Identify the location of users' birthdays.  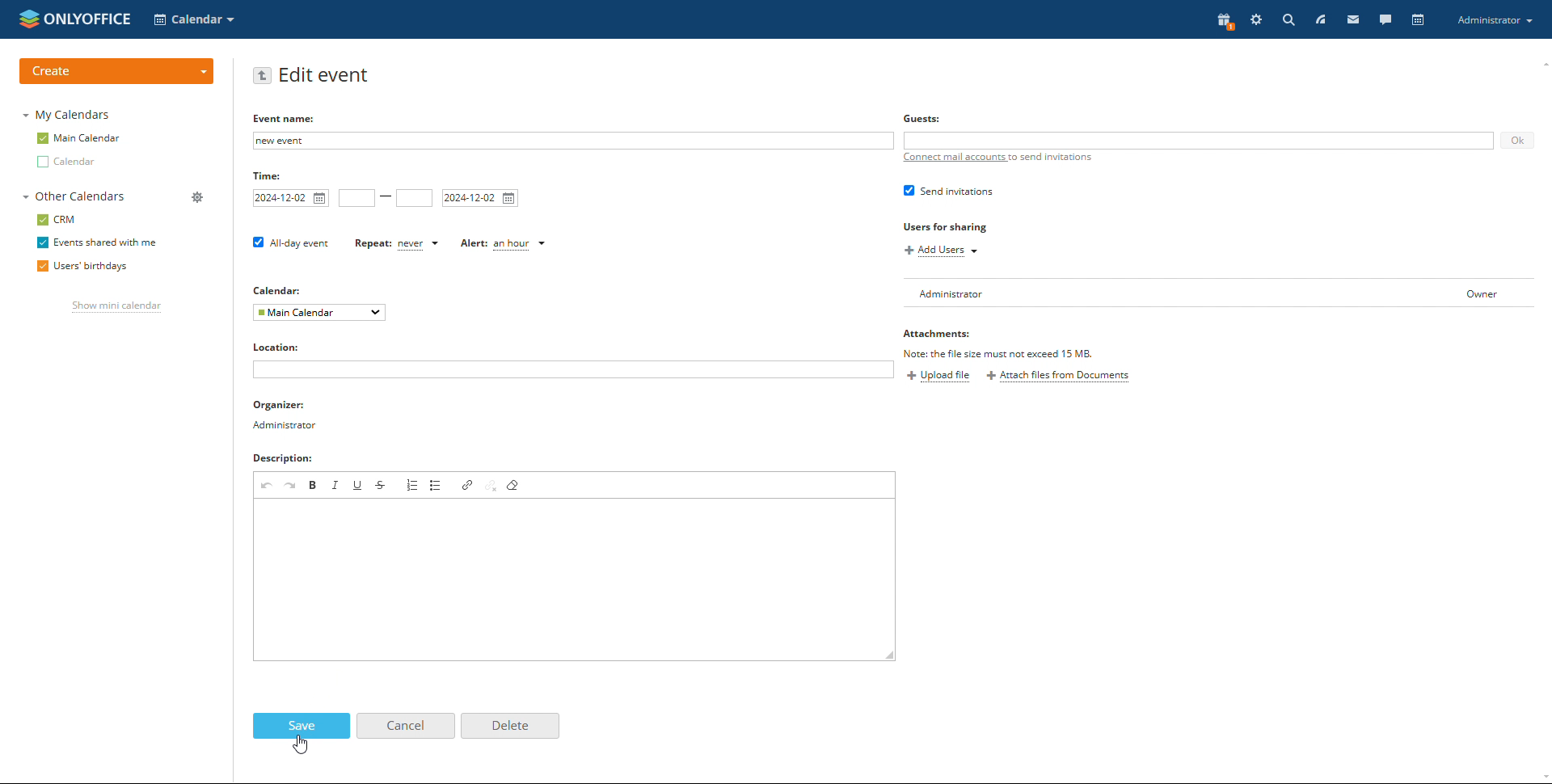
(82, 266).